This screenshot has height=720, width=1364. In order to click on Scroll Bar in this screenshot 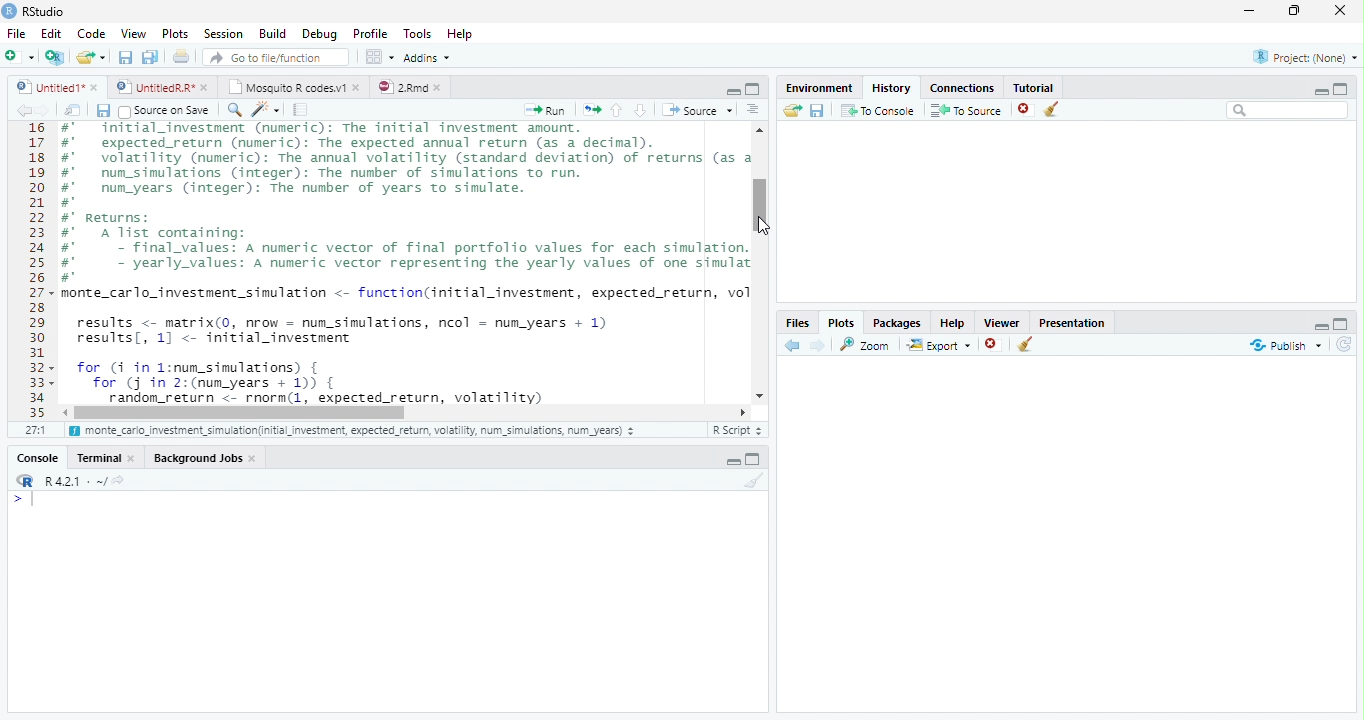, I will do `click(762, 205)`.